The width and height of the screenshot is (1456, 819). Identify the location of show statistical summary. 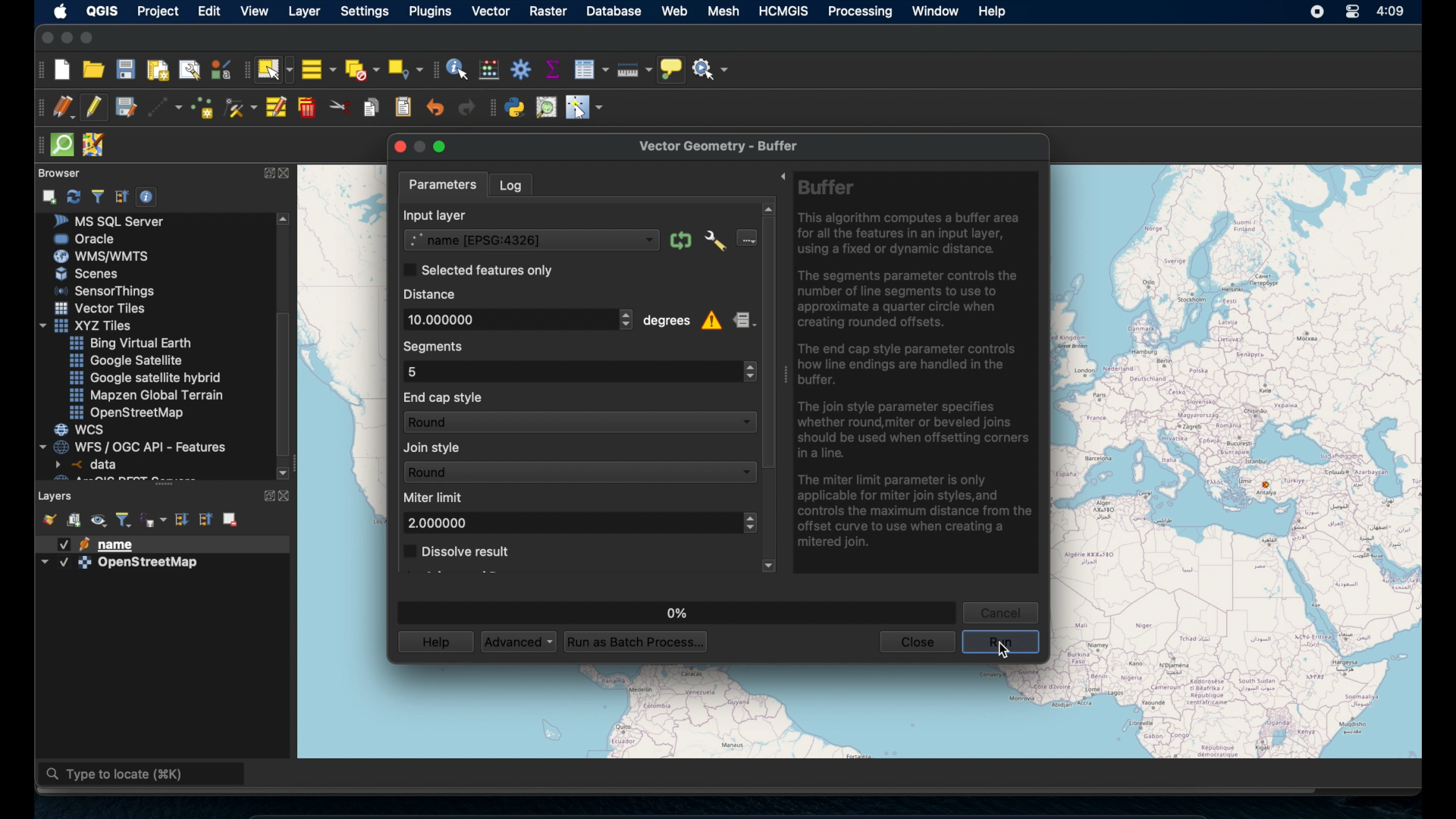
(552, 68).